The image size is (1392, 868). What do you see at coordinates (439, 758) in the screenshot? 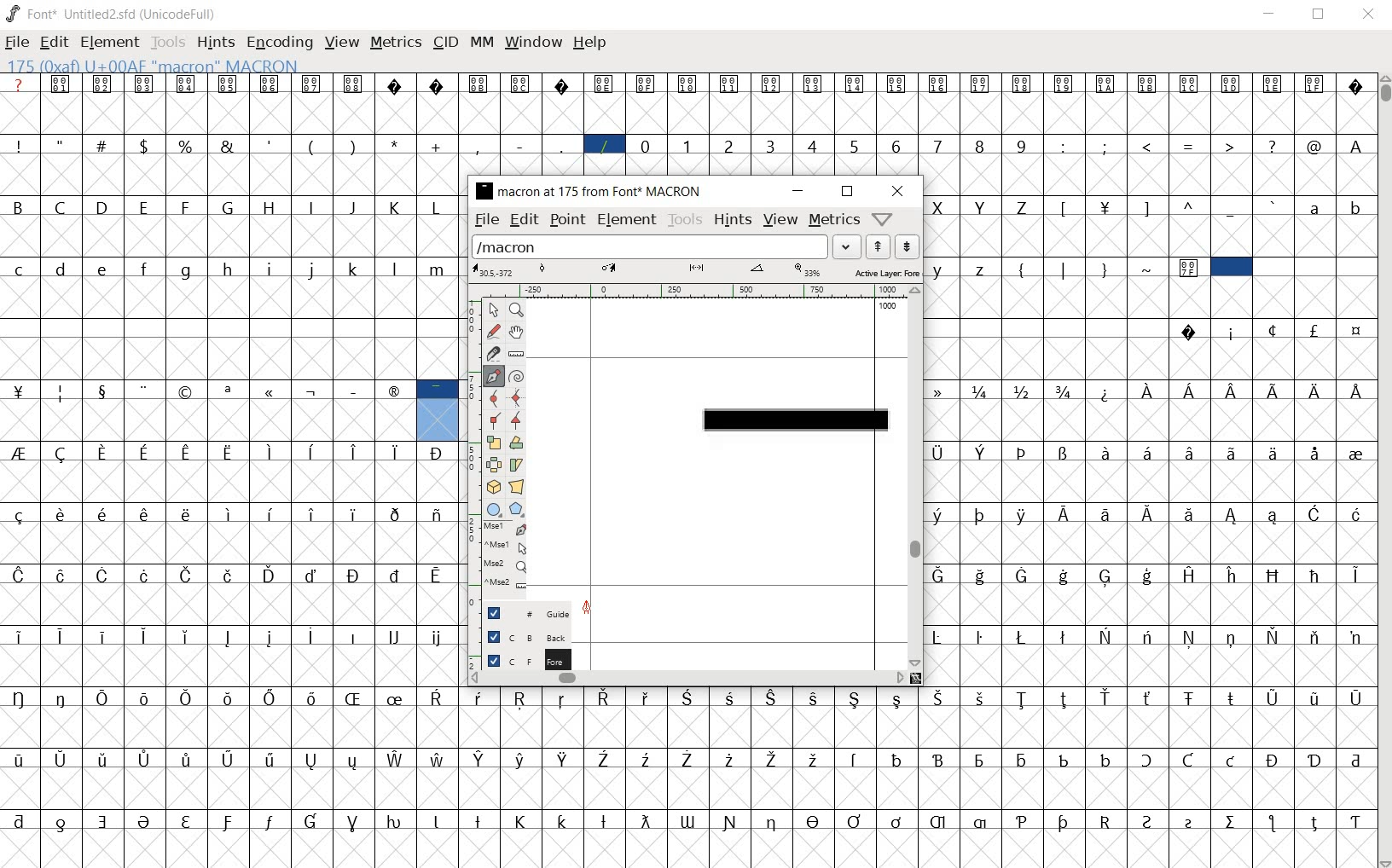
I see `Symbol` at bounding box center [439, 758].